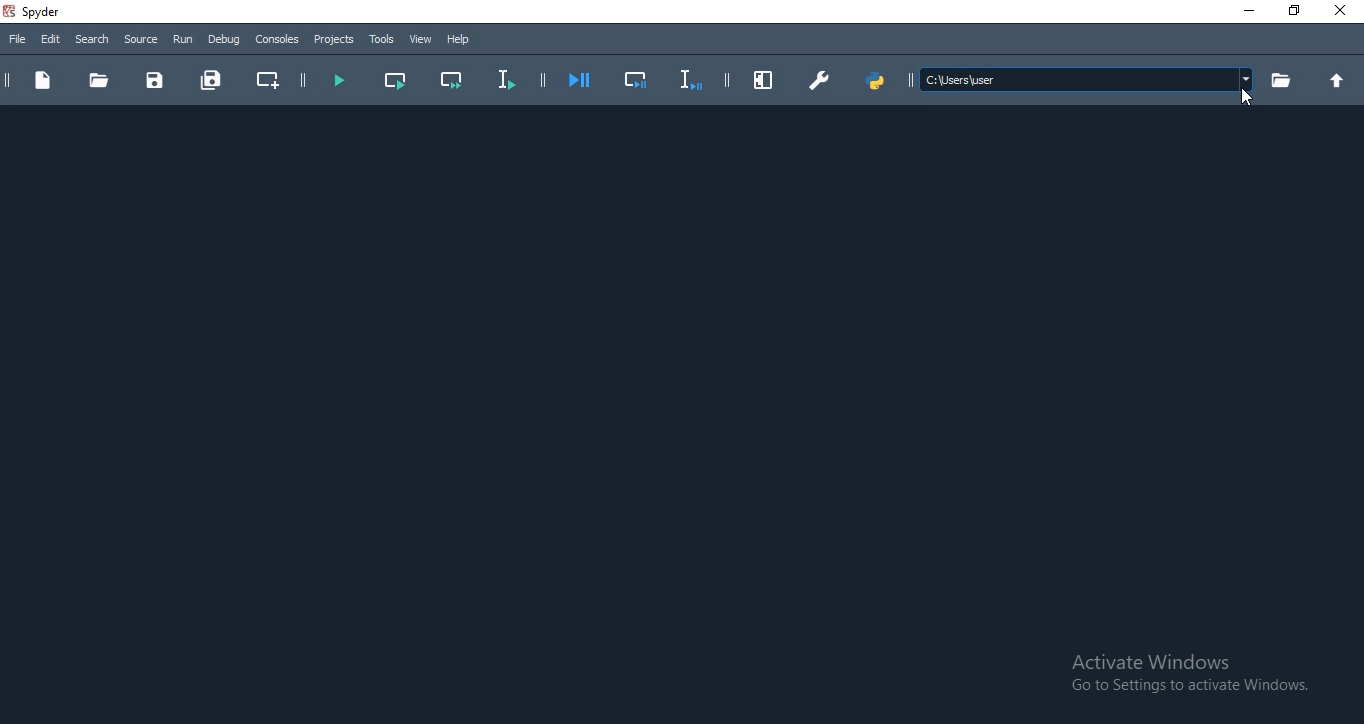  I want to click on pythonpath manager, so click(878, 79).